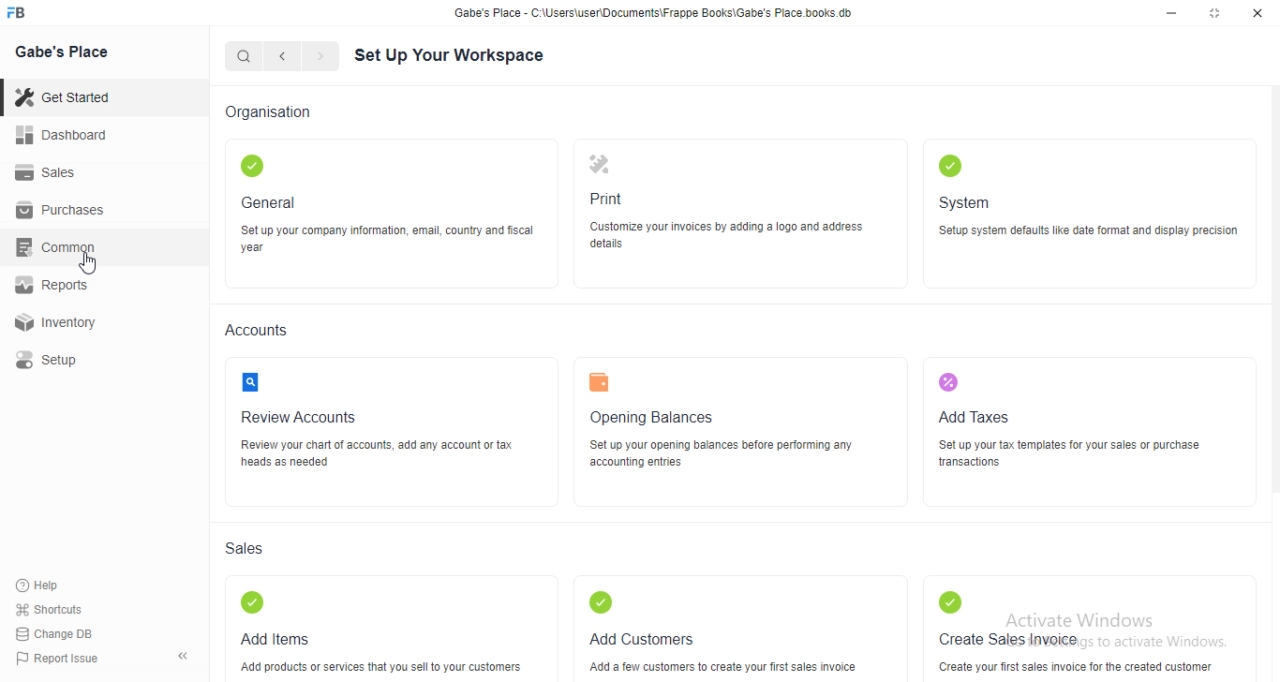 The height and width of the screenshot is (682, 1280). Describe the element at coordinates (49, 247) in the screenshot. I see `Comman` at that location.